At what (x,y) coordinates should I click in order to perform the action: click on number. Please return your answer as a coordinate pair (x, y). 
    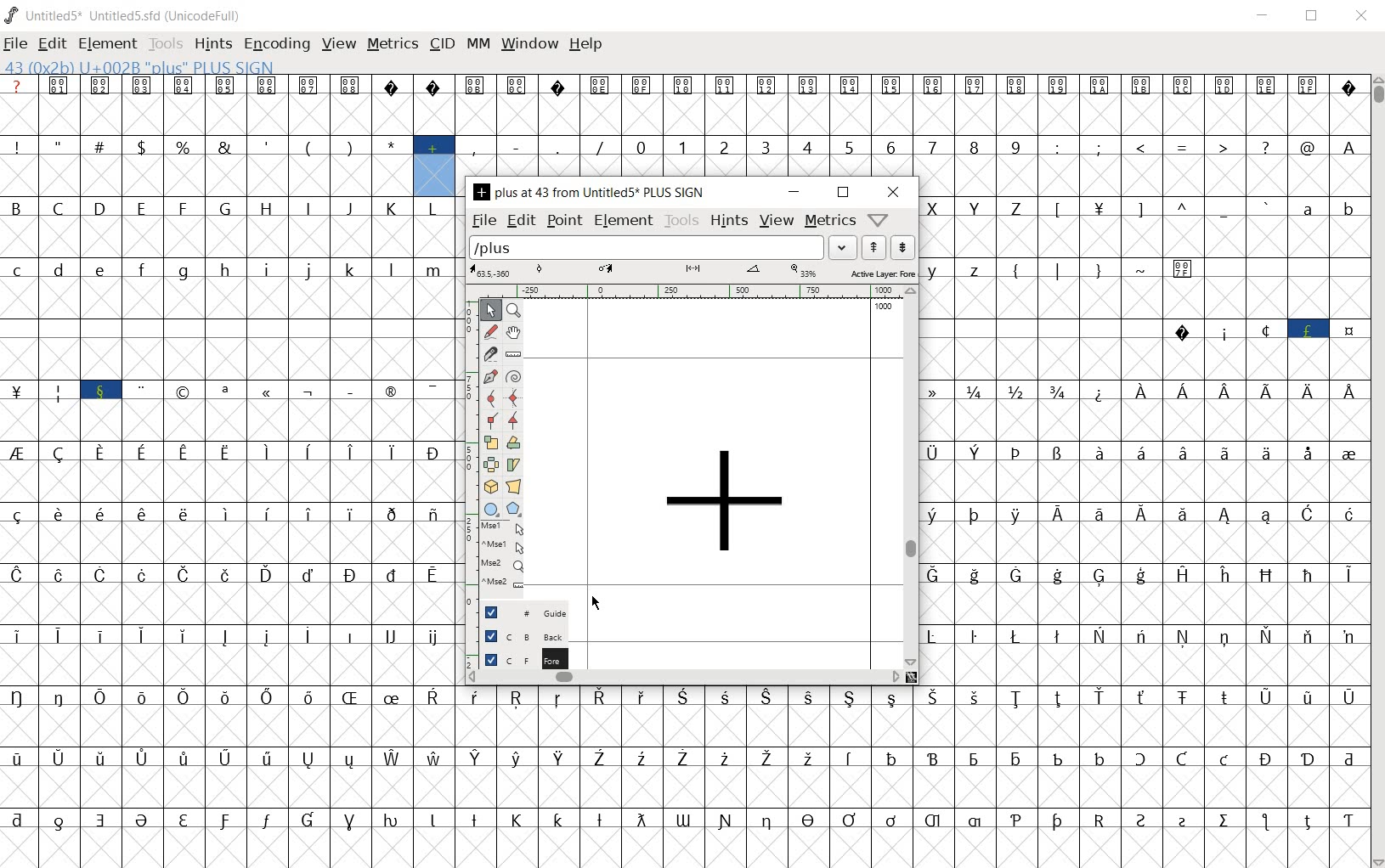
    Looking at the image, I should click on (829, 158).